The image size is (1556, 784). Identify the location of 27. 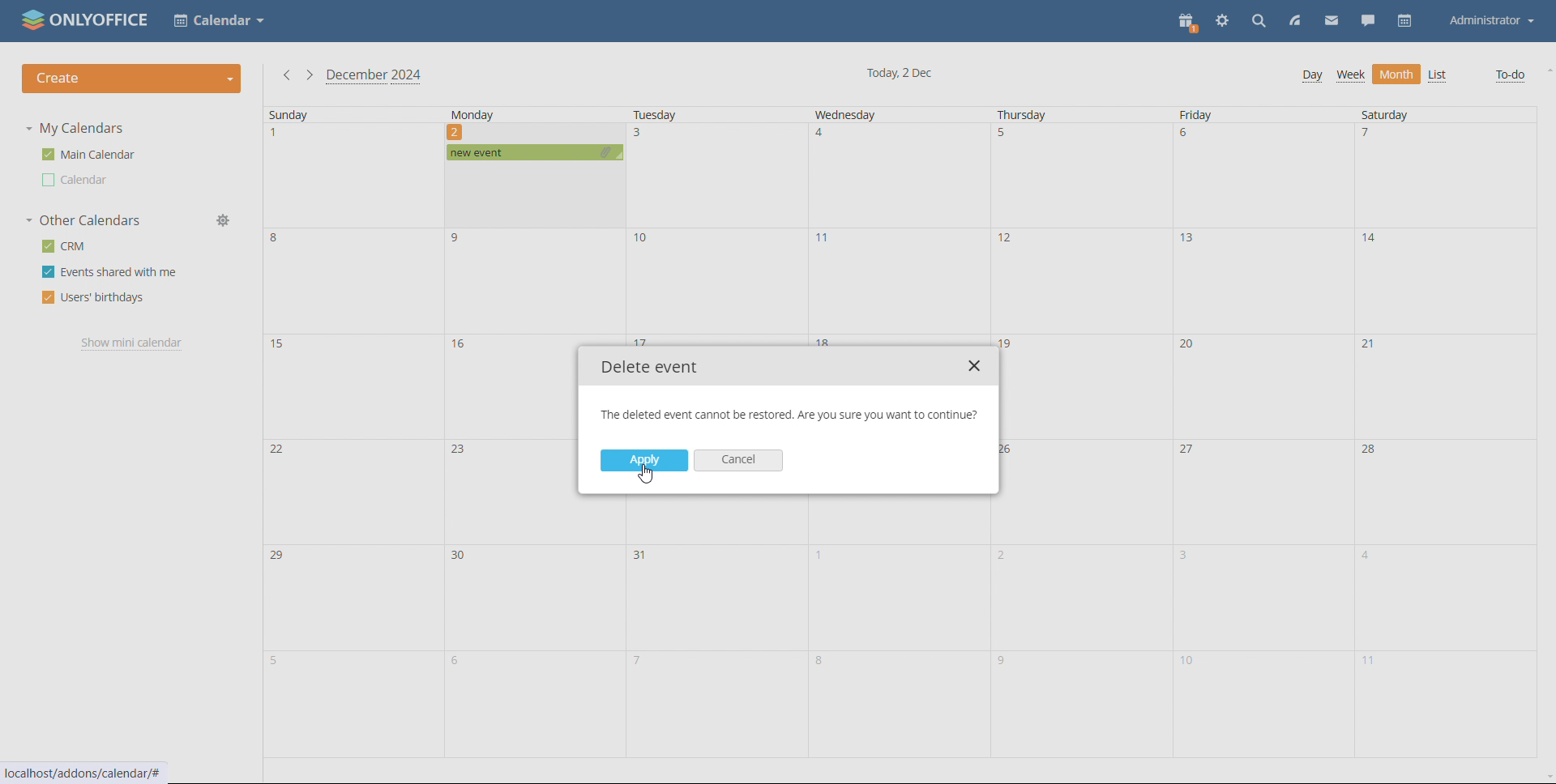
(1189, 450).